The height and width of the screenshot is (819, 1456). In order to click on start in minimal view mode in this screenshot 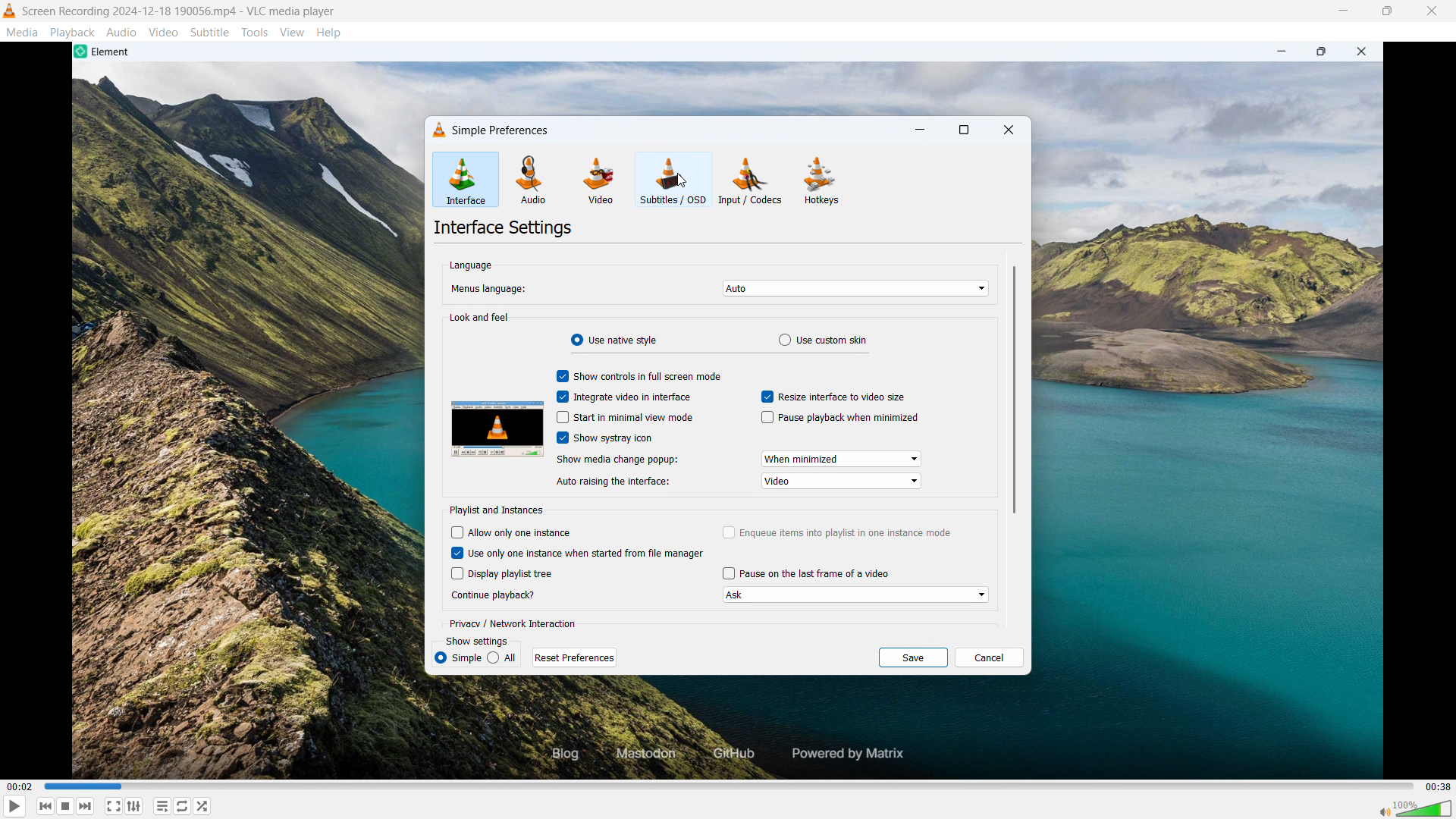, I will do `click(626, 417)`.